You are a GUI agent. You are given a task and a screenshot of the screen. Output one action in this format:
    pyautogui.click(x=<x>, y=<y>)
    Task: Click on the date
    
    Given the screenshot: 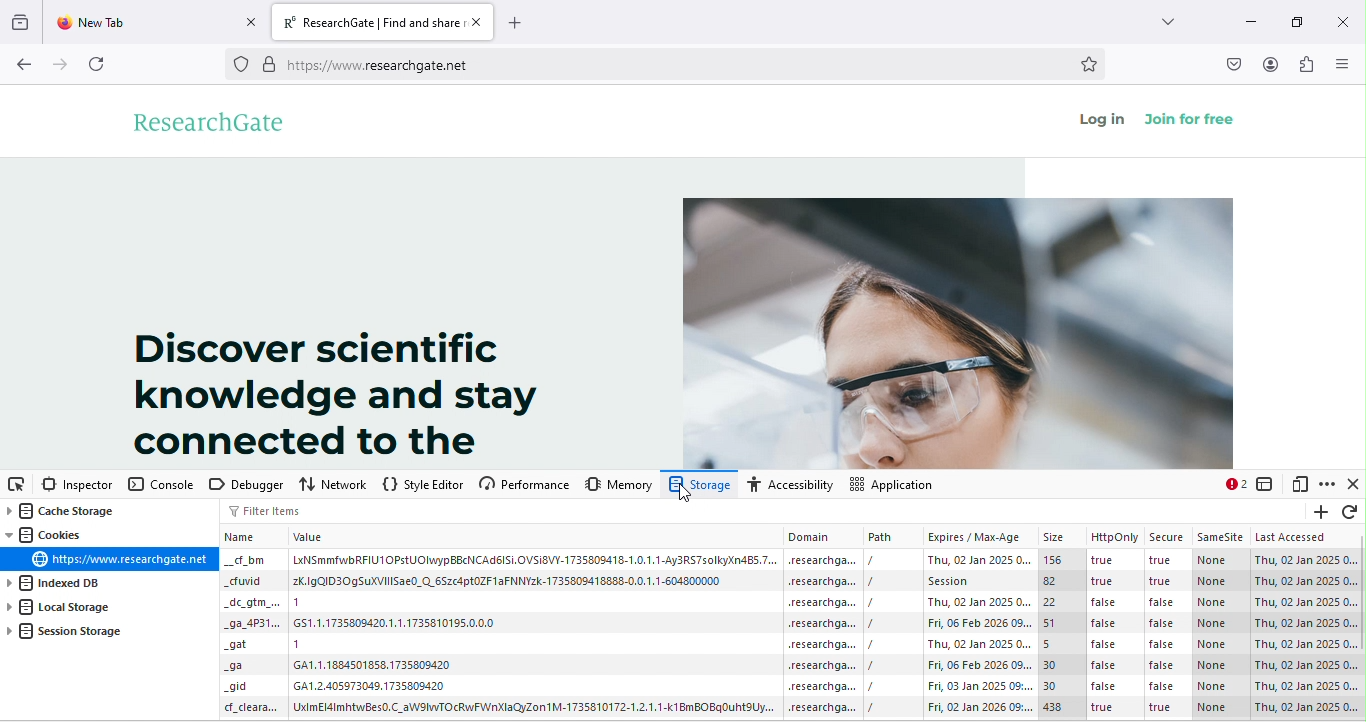 What is the action you would take?
    pyautogui.click(x=980, y=666)
    